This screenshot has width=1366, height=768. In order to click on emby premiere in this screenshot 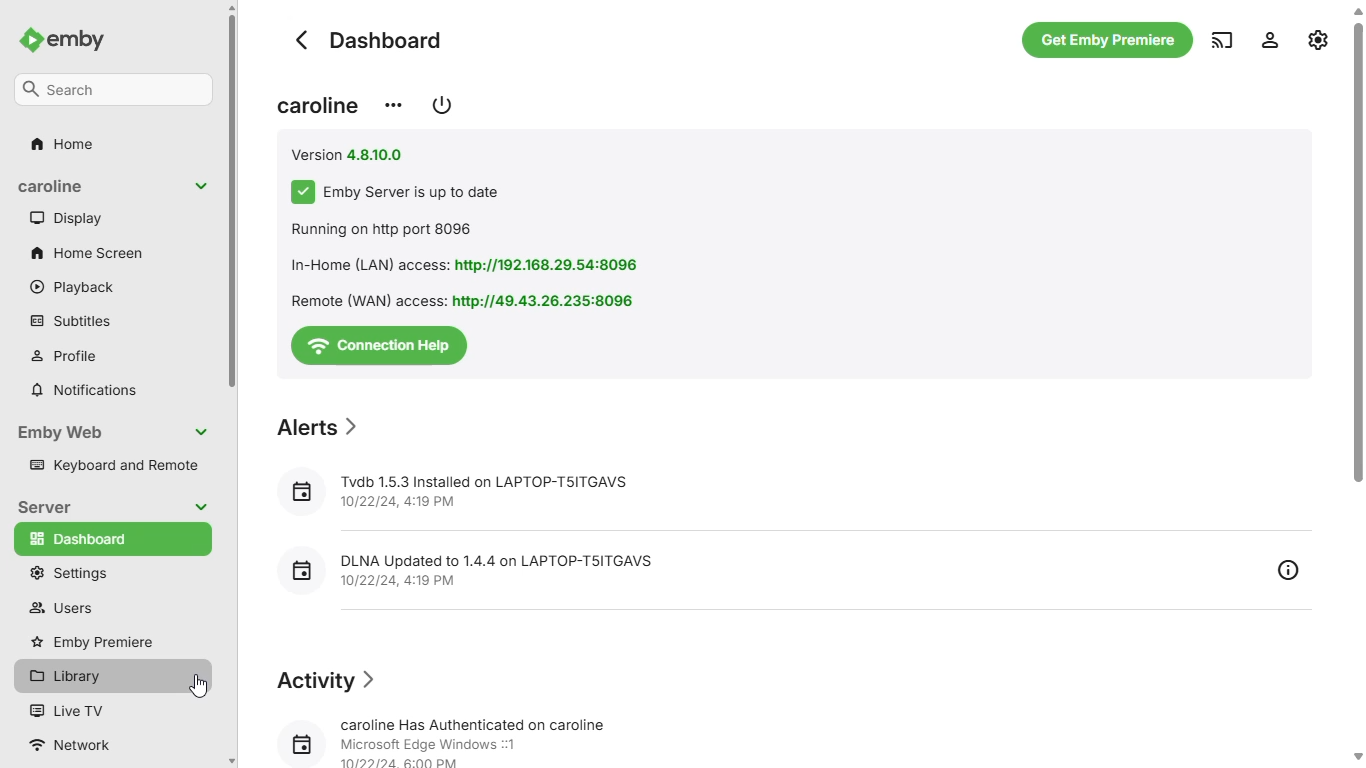, I will do `click(94, 641)`.